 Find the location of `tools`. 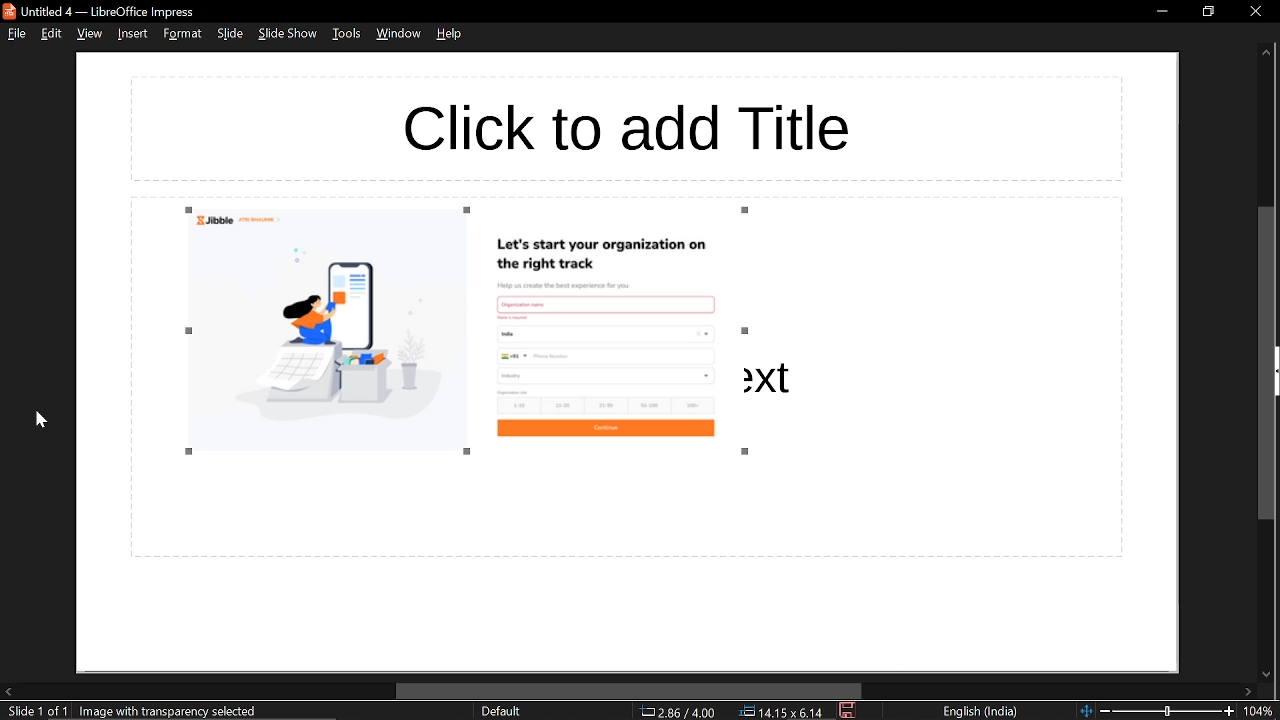

tools is located at coordinates (346, 33).